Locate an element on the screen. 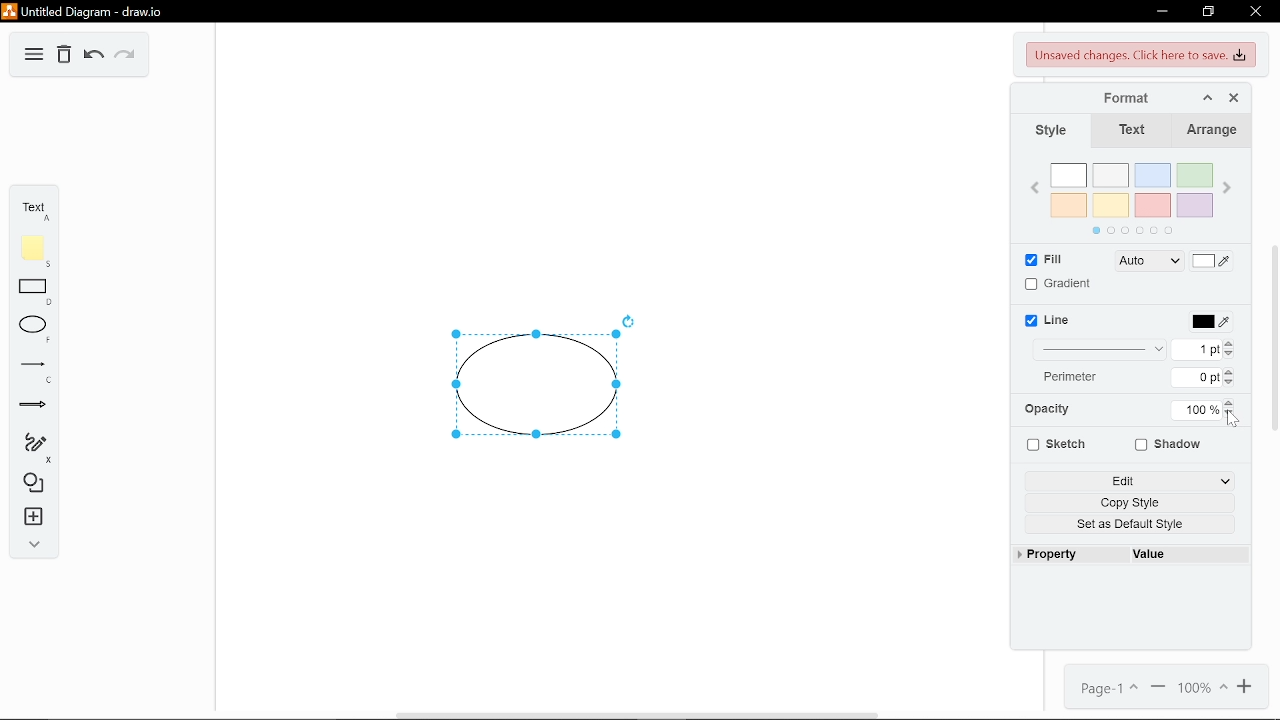 The height and width of the screenshot is (720, 1280). Copy style is located at coordinates (1132, 503).